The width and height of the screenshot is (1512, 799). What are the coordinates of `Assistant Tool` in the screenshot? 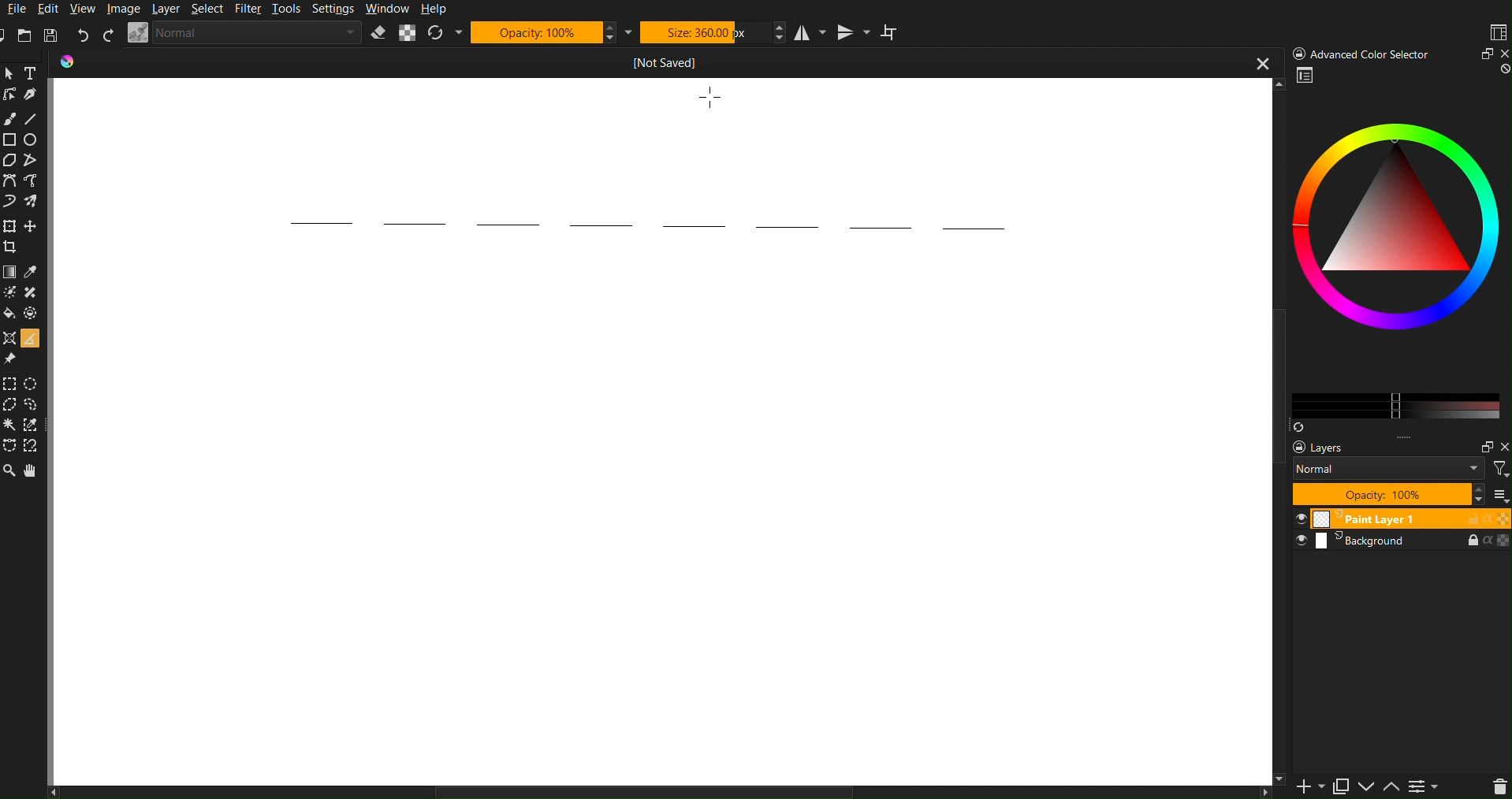 It's located at (9, 336).